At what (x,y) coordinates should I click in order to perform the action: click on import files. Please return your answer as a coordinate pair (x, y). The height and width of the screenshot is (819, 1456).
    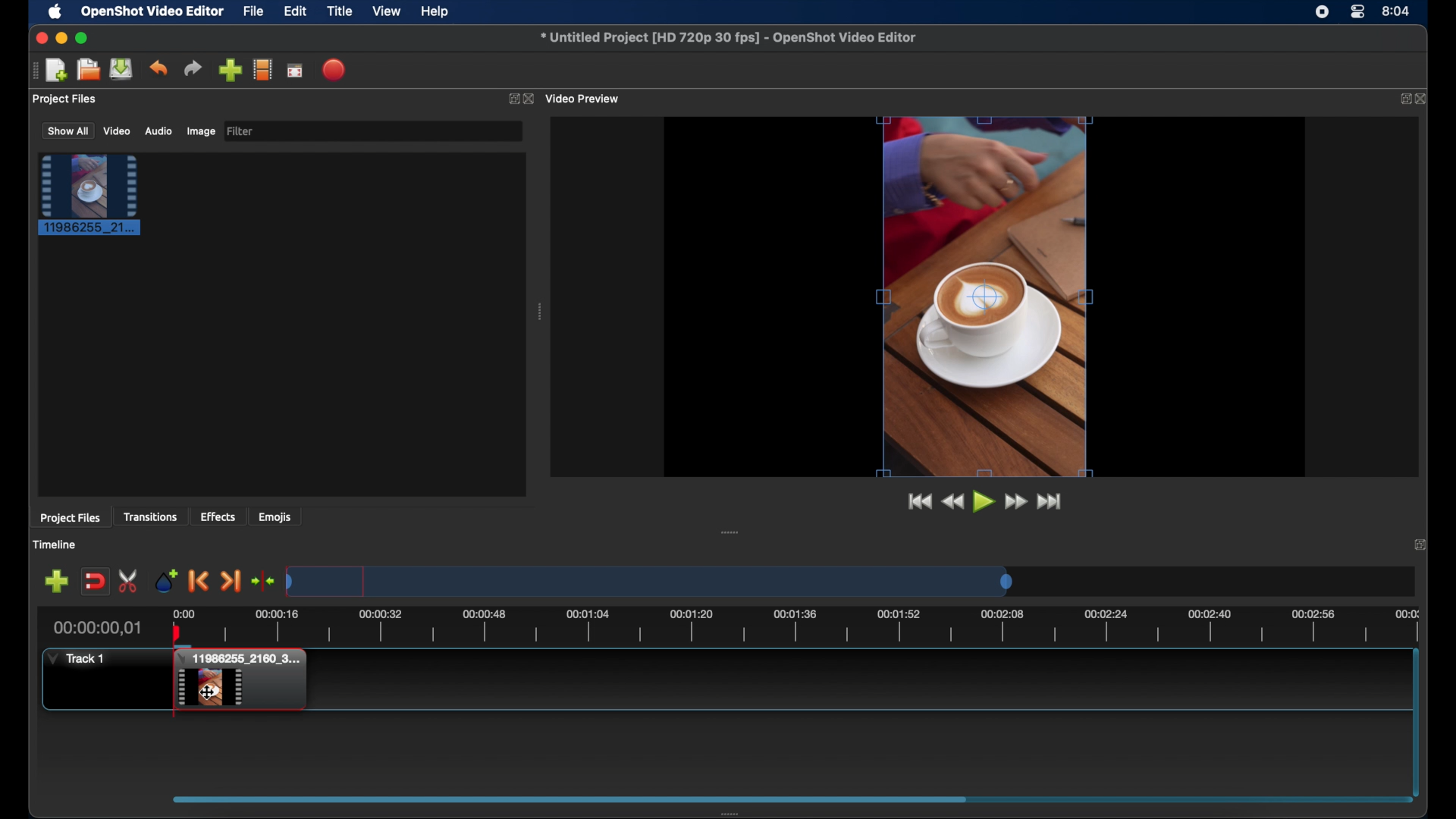
    Looking at the image, I should click on (229, 71).